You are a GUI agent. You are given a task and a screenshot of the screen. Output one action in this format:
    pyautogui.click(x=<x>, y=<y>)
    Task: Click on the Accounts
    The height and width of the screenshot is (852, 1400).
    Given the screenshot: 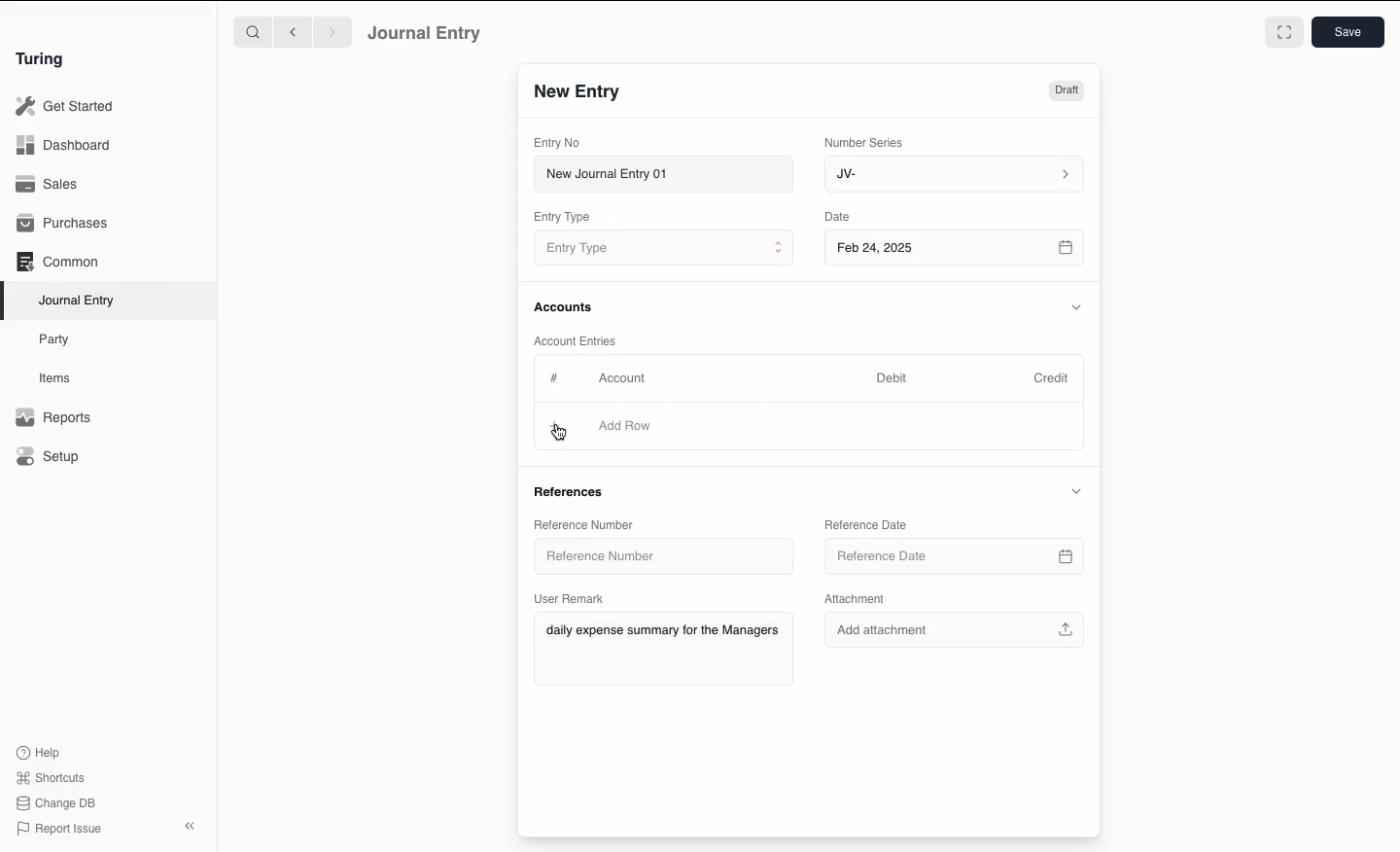 What is the action you would take?
    pyautogui.click(x=565, y=307)
    